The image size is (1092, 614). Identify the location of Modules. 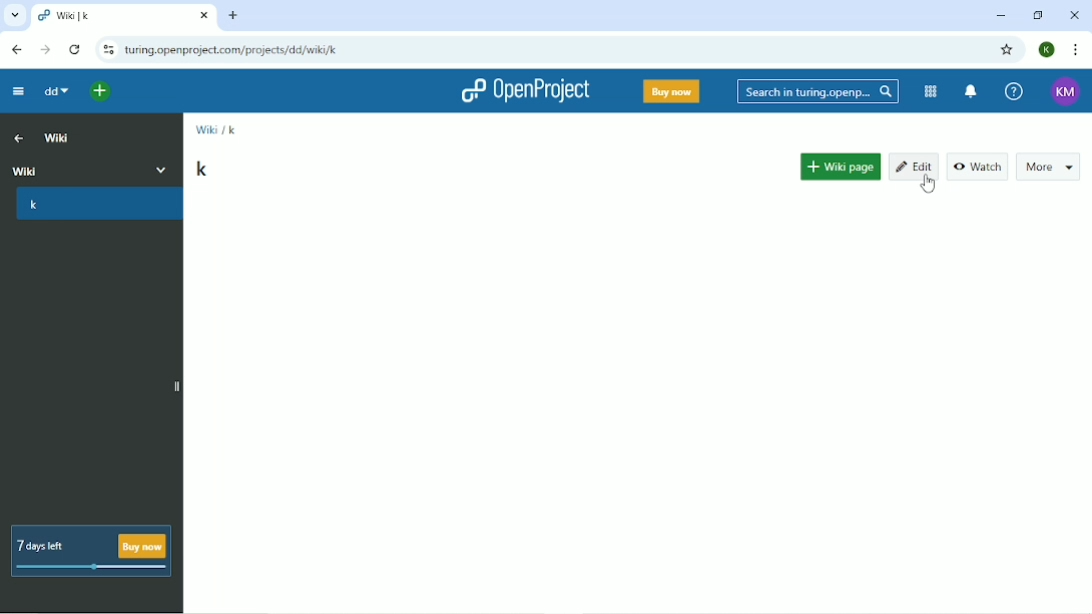
(931, 92).